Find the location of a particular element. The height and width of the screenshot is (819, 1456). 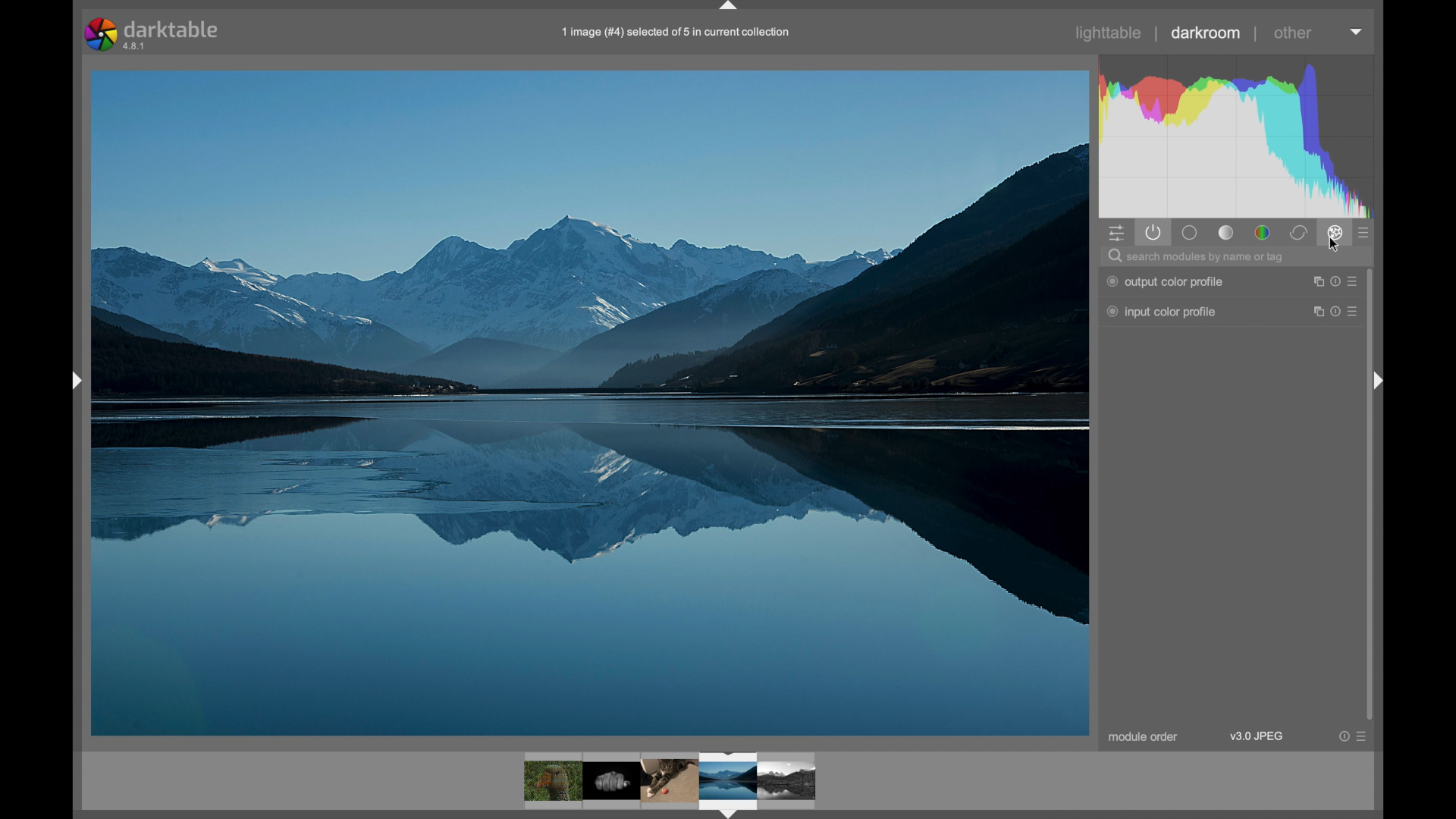

Cursor is located at coordinates (1336, 247).